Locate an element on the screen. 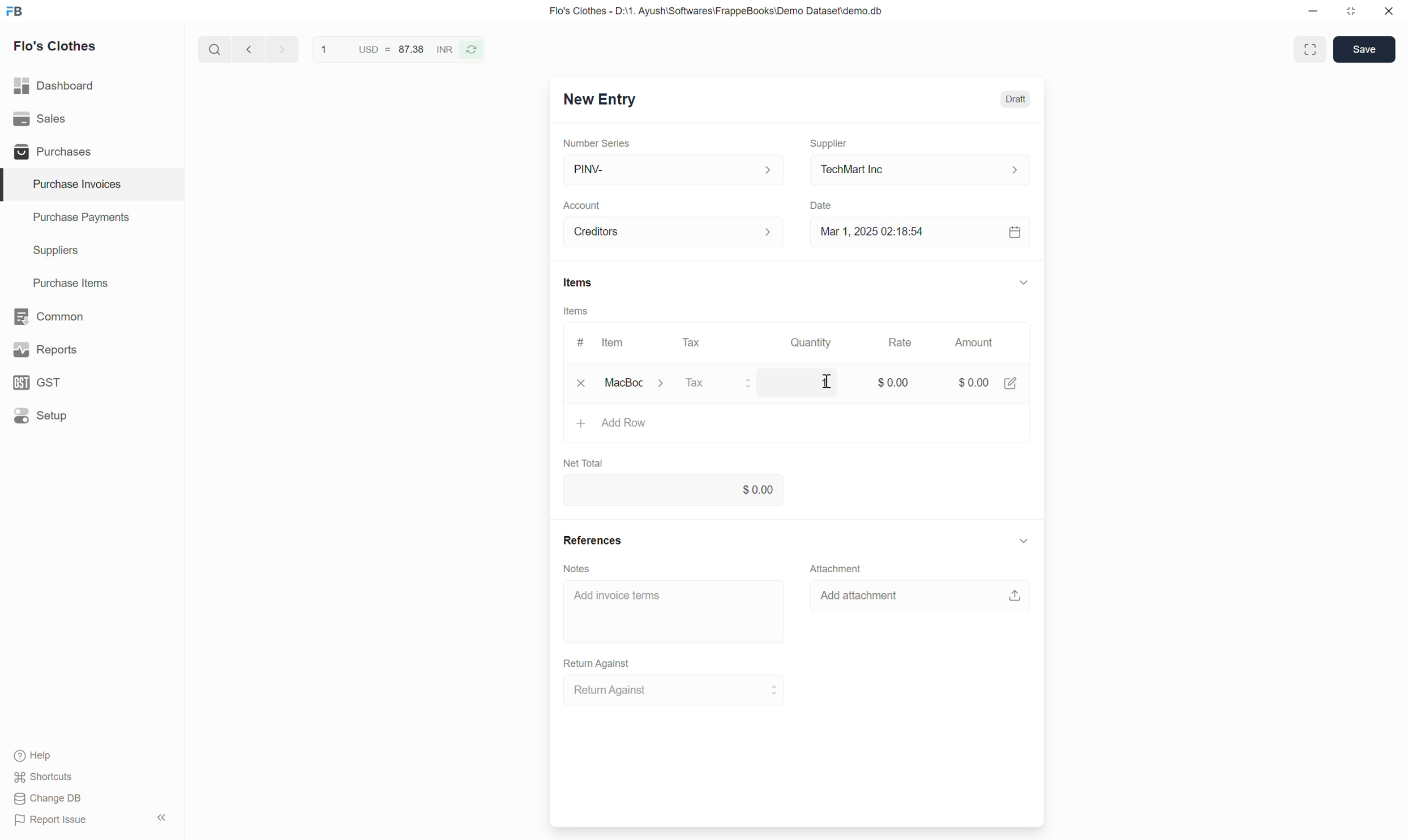 The height and width of the screenshot is (840, 1408). Flo's Clothes is located at coordinates (55, 46).